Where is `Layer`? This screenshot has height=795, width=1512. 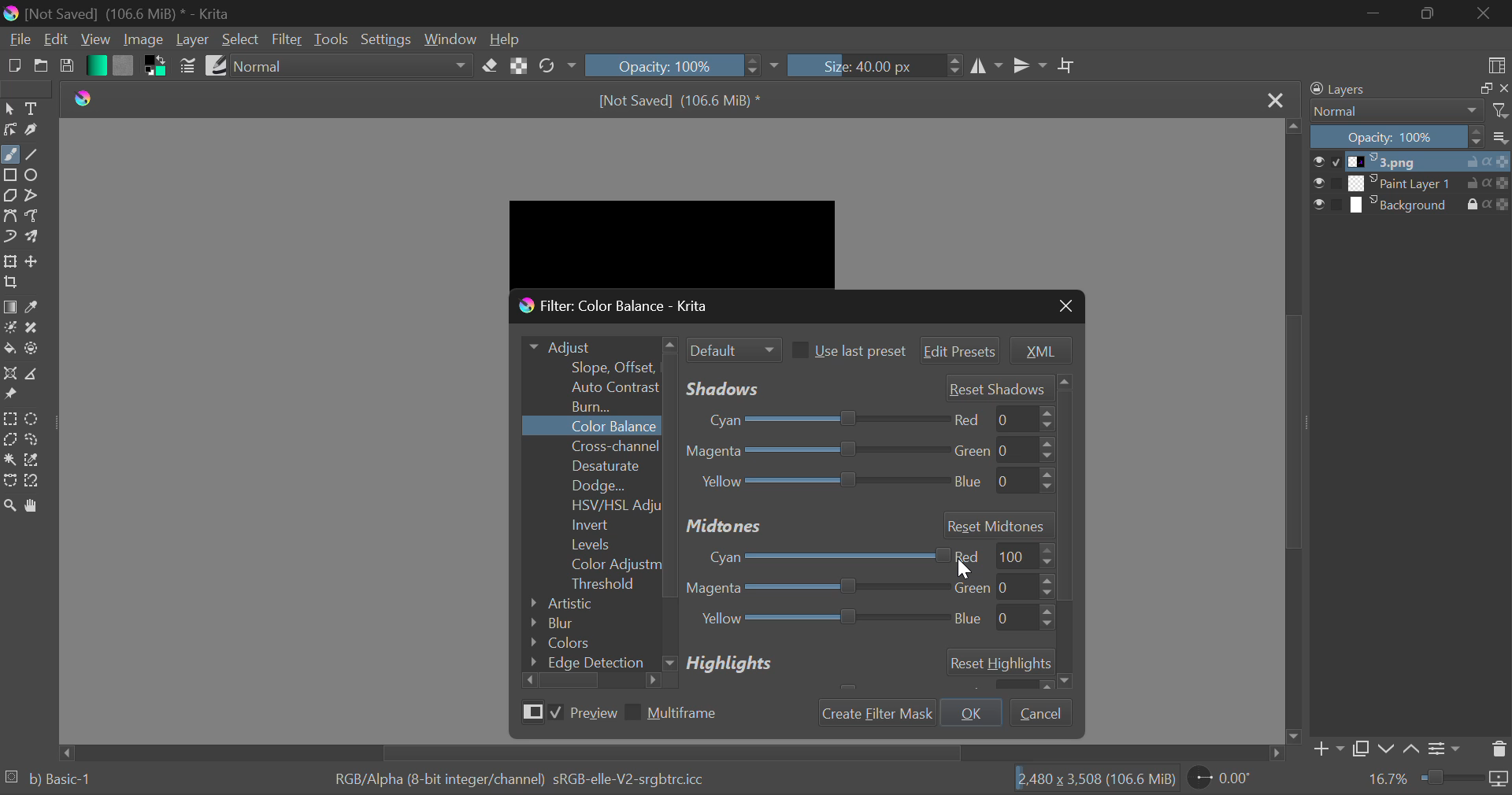 Layer is located at coordinates (193, 41).